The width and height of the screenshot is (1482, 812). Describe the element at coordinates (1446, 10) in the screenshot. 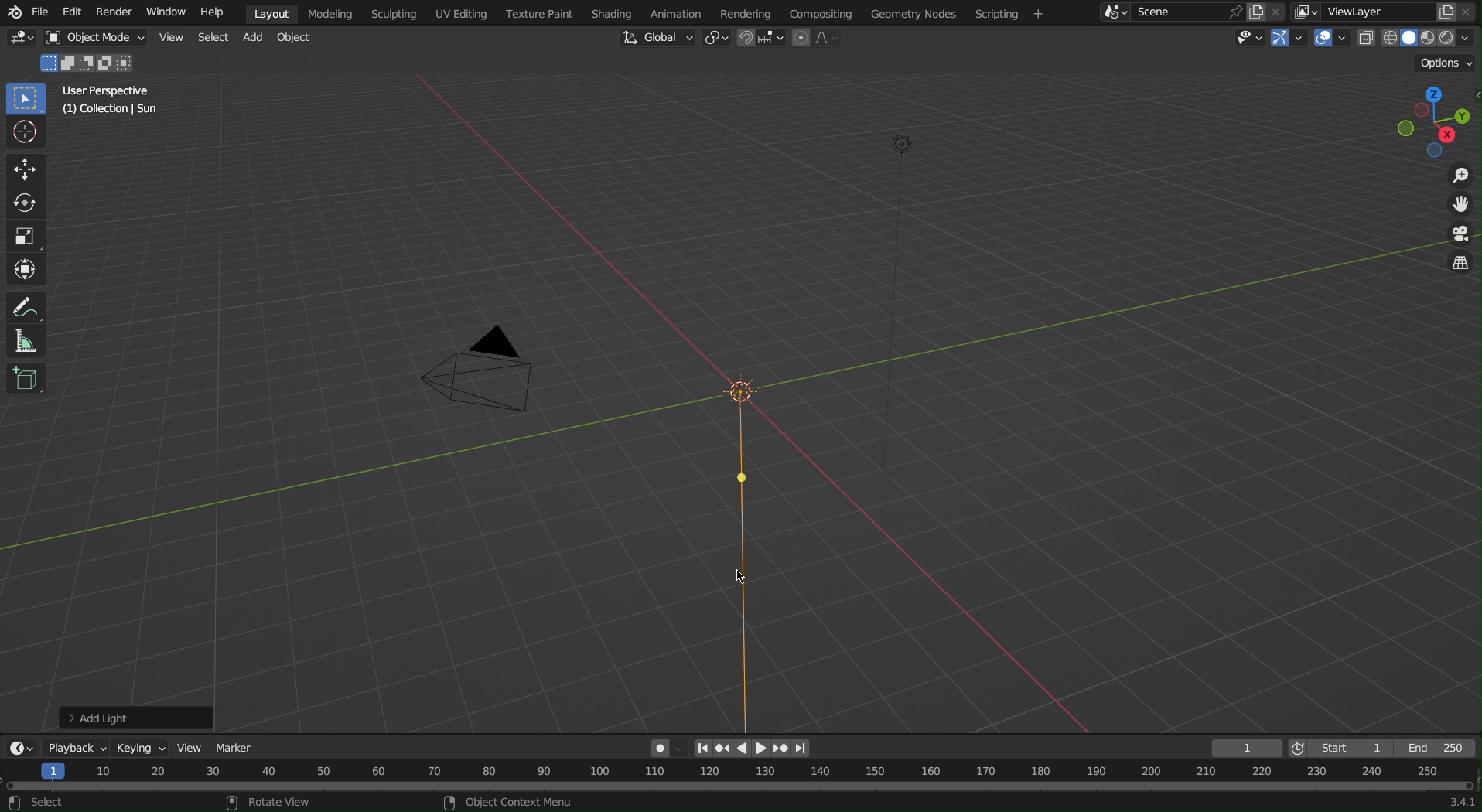

I see `Copy` at that location.